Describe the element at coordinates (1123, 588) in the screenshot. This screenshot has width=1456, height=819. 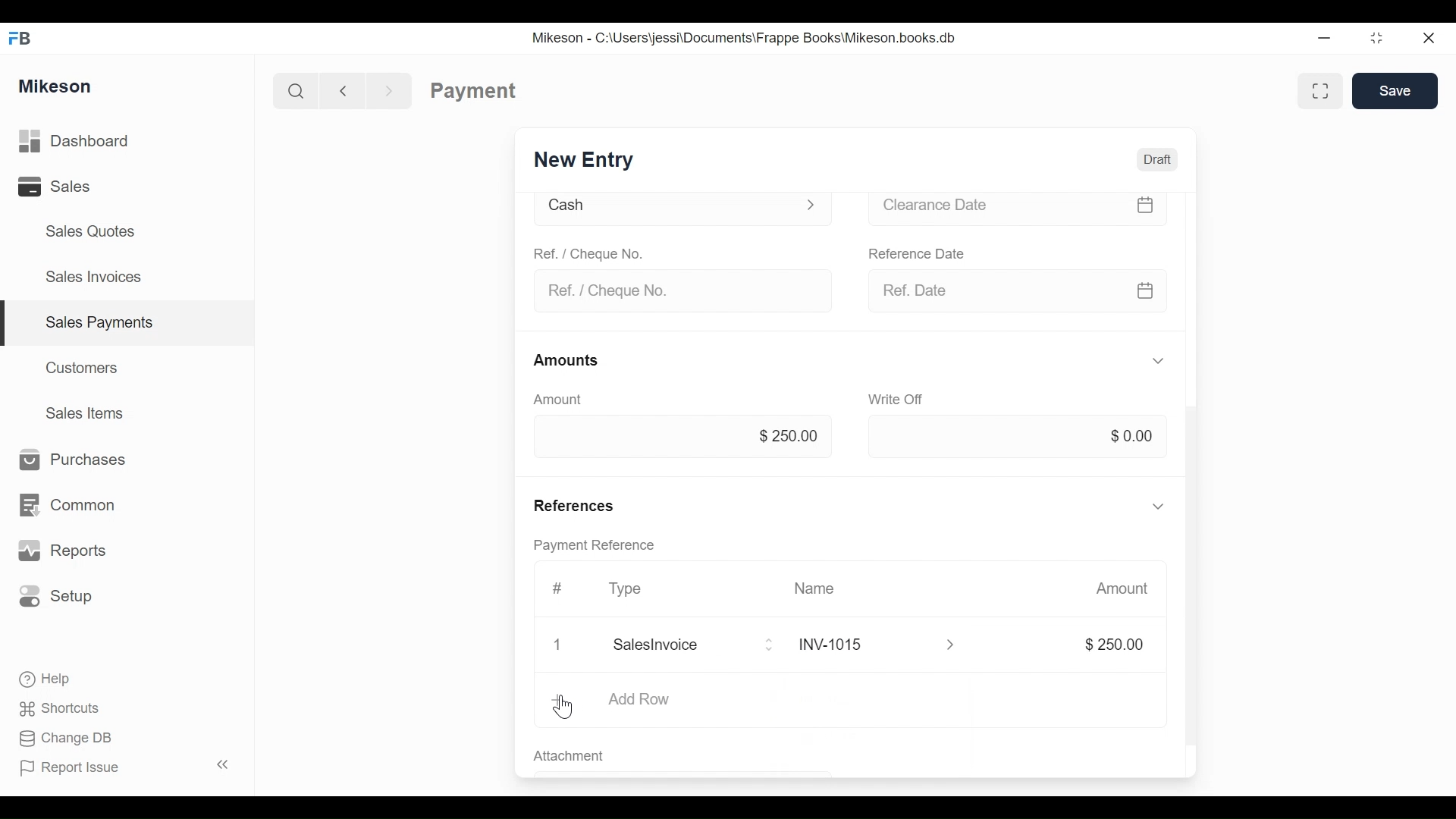
I see `Amount` at that location.